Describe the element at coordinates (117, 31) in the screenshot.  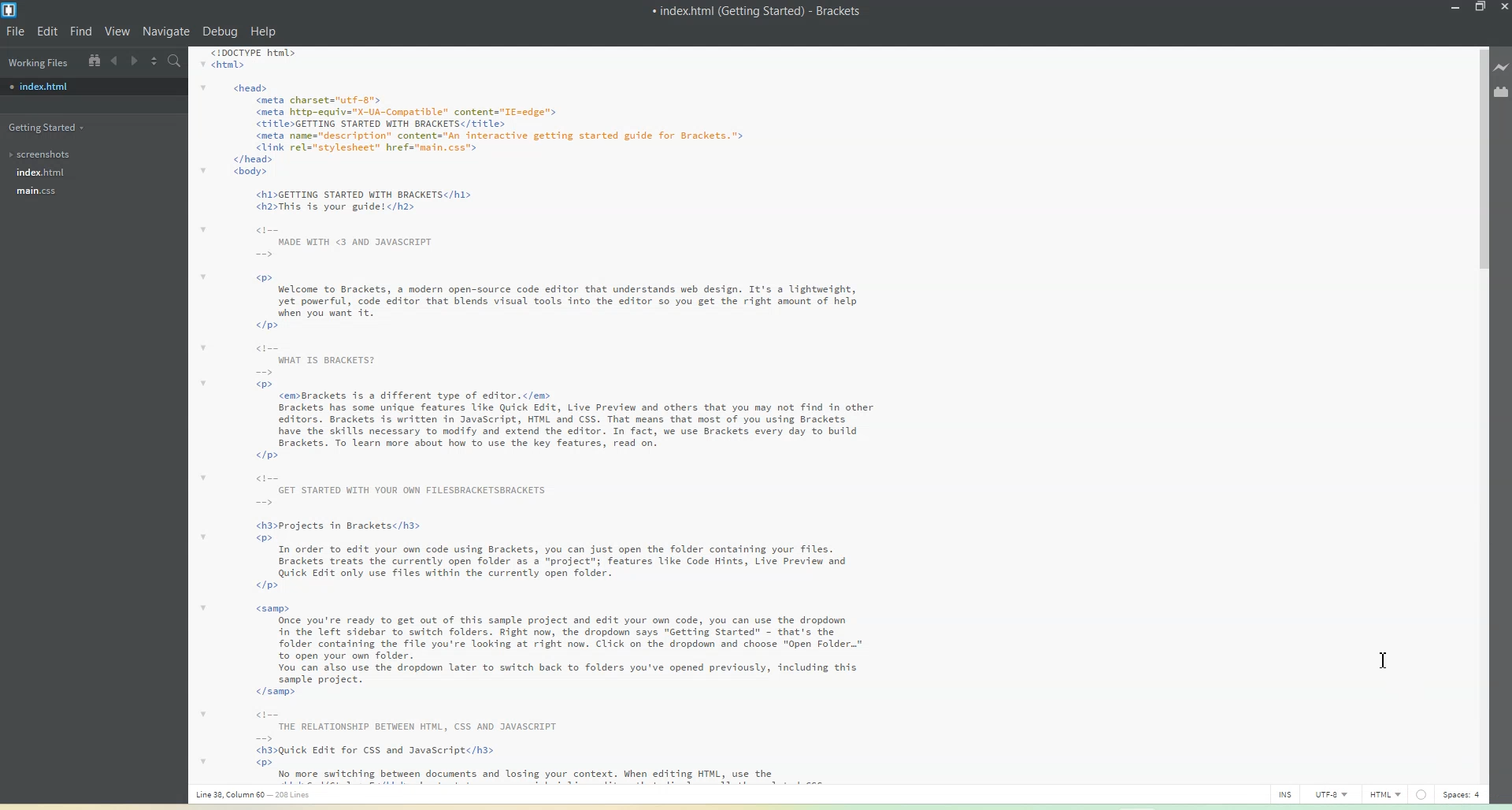
I see `View` at that location.